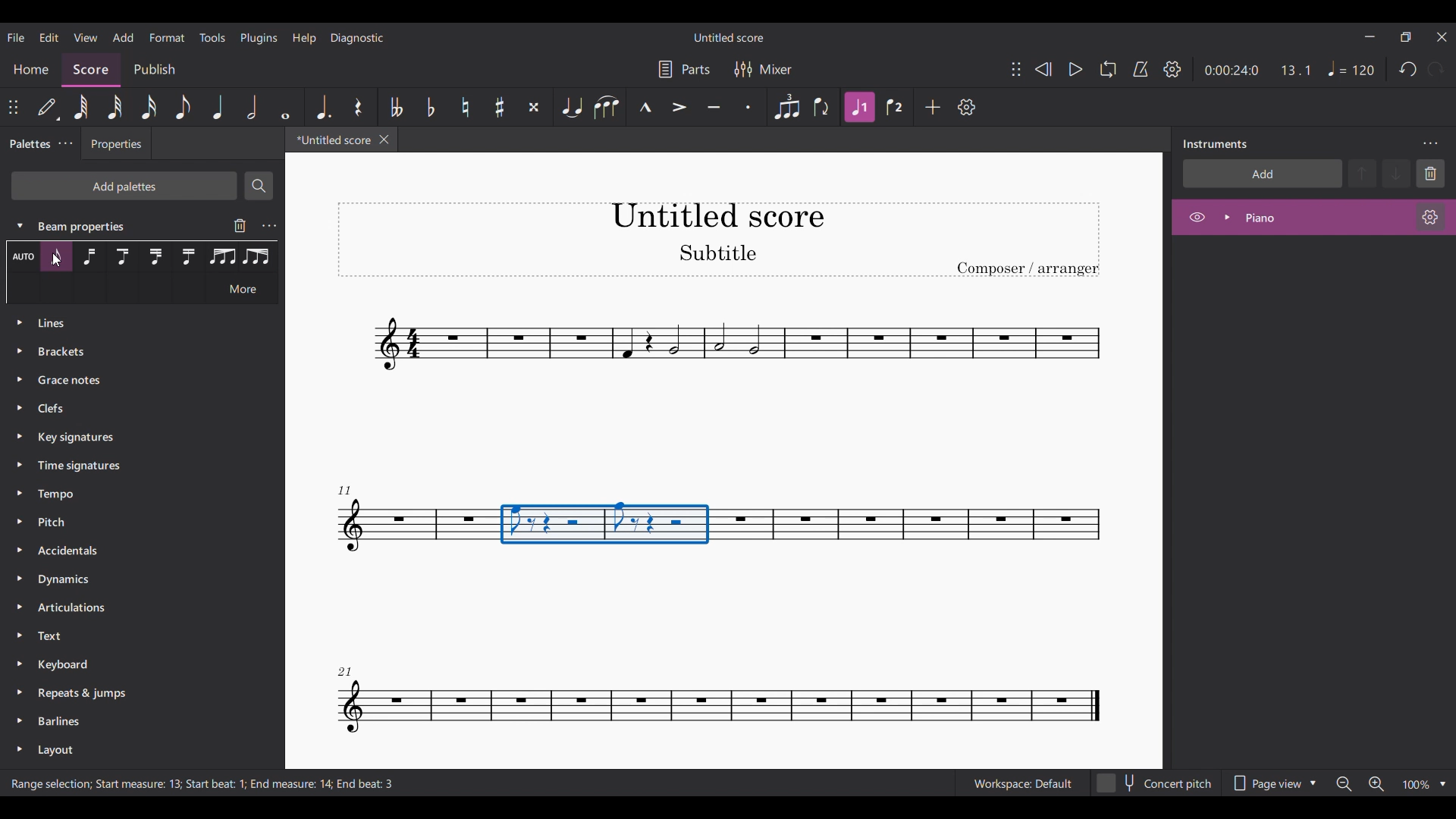 Image resolution: width=1456 pixels, height=819 pixels. What do you see at coordinates (728, 37) in the screenshot?
I see `Untitled score` at bounding box center [728, 37].